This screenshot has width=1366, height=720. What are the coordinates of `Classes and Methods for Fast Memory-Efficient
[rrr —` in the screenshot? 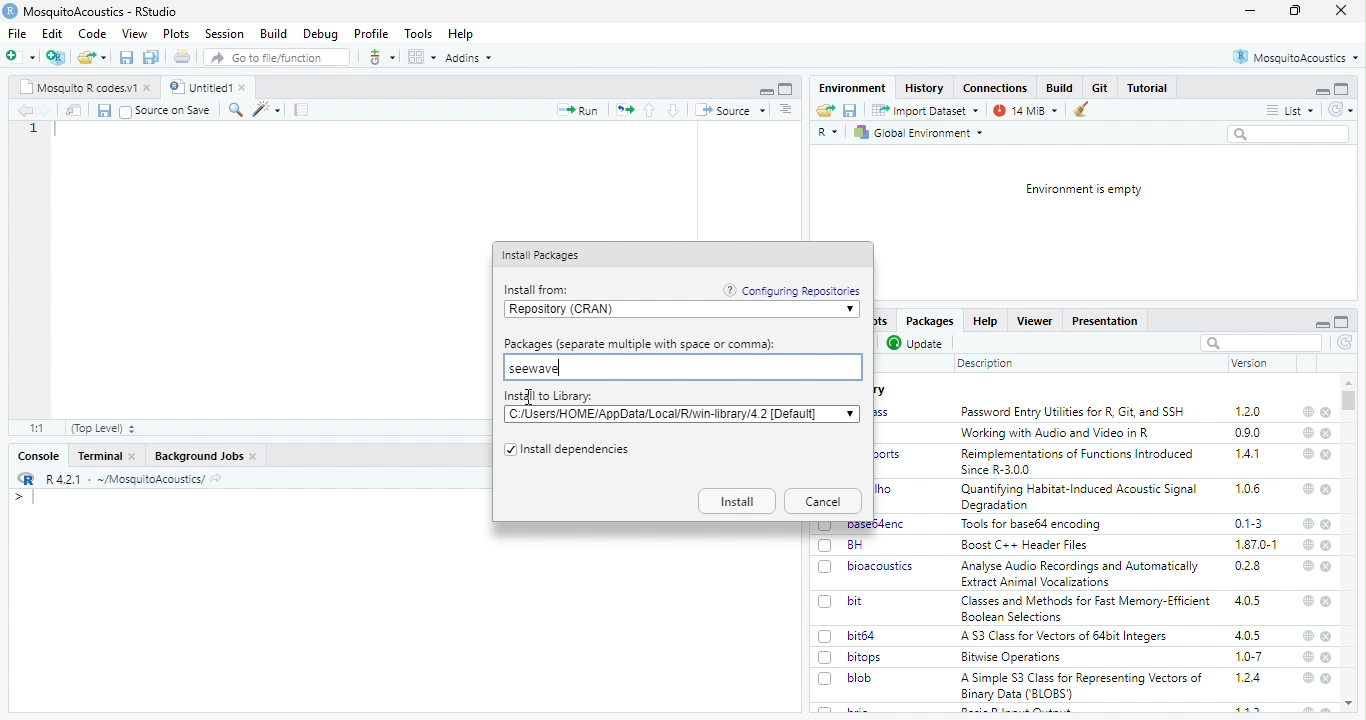 It's located at (1085, 608).